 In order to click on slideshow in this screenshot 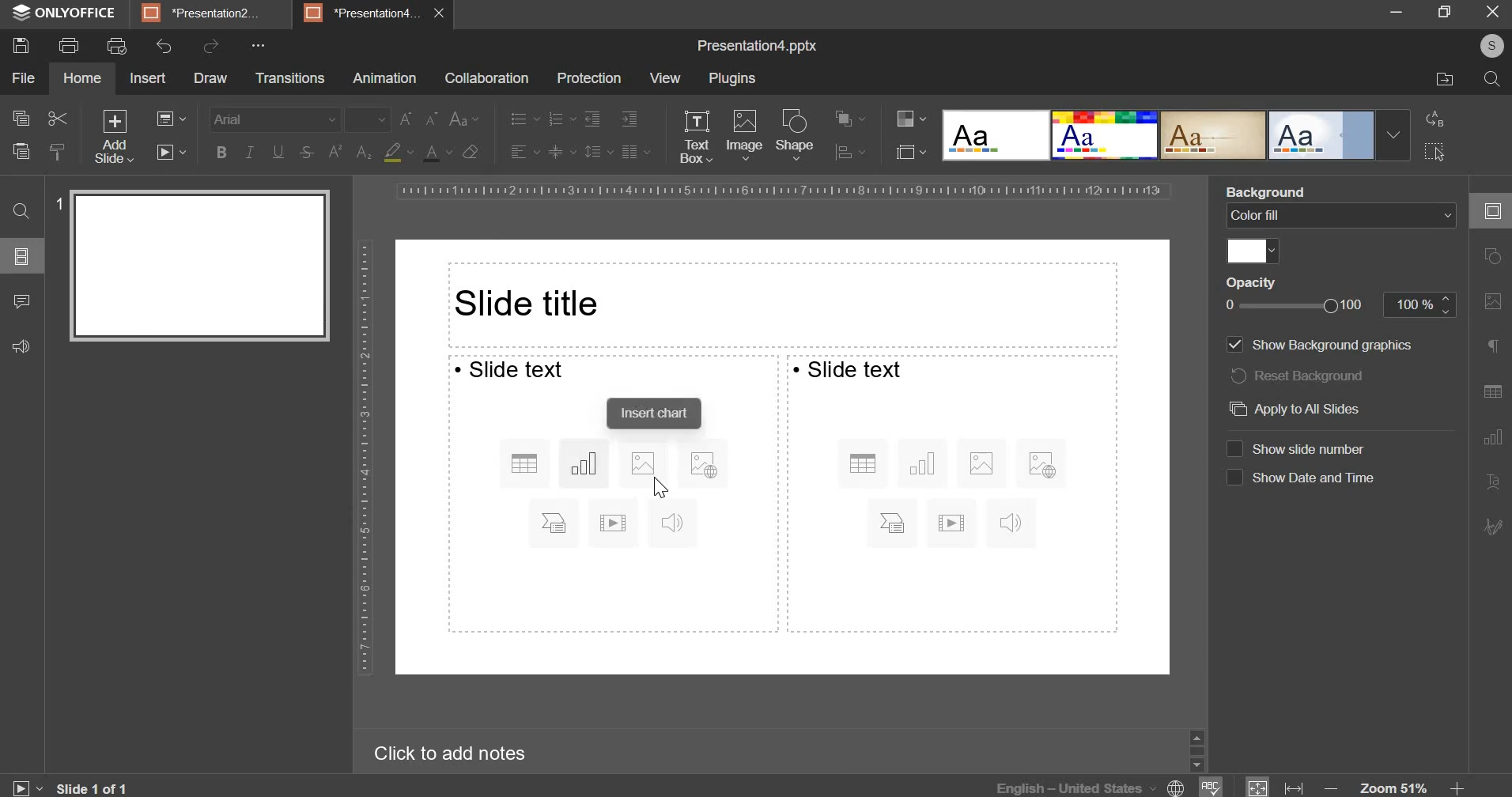, I will do `click(174, 157)`.